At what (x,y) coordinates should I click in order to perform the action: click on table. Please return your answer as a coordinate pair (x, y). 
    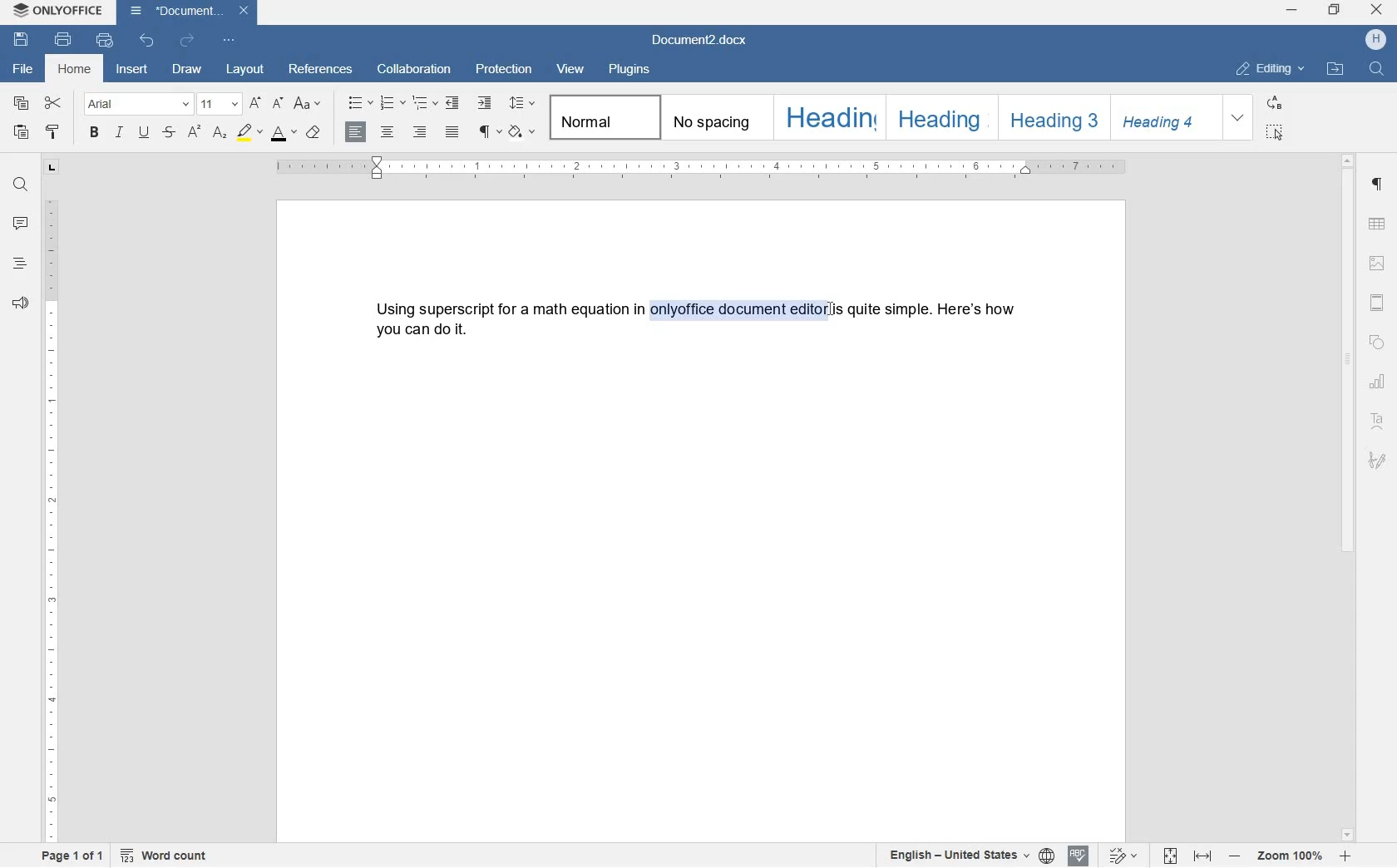
    Looking at the image, I should click on (1378, 224).